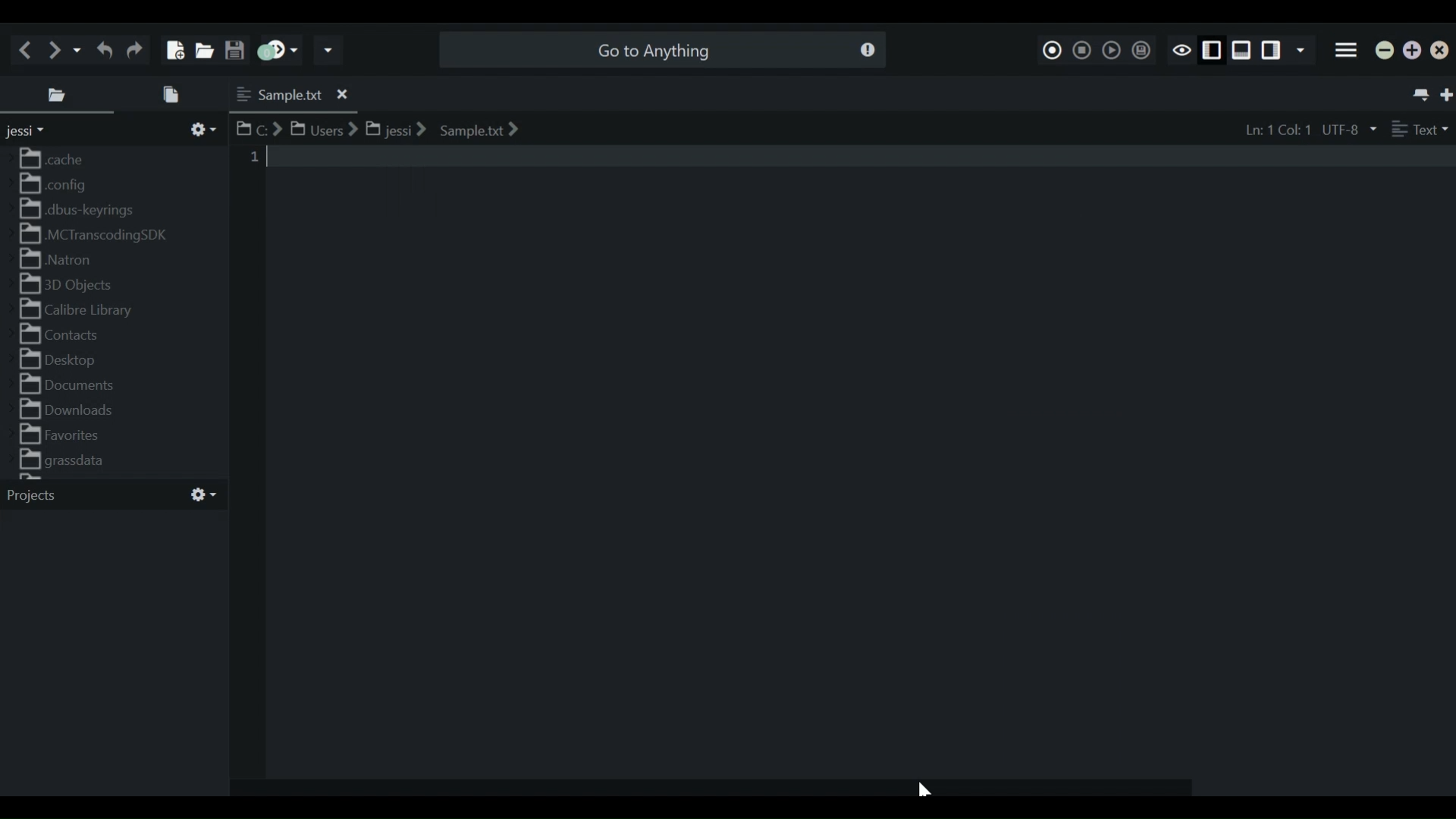 Image resolution: width=1456 pixels, height=819 pixels. I want to click on Play last Macros, so click(1111, 50).